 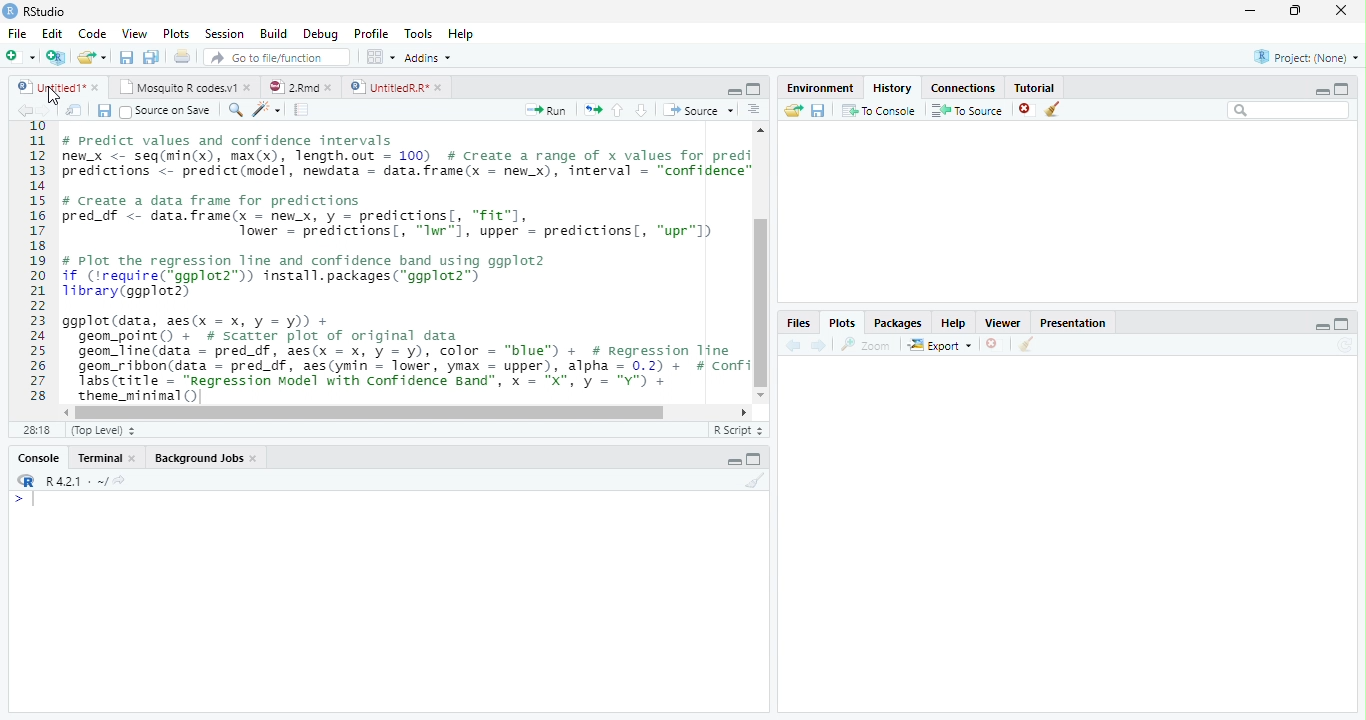 I want to click on Help, so click(x=462, y=35).